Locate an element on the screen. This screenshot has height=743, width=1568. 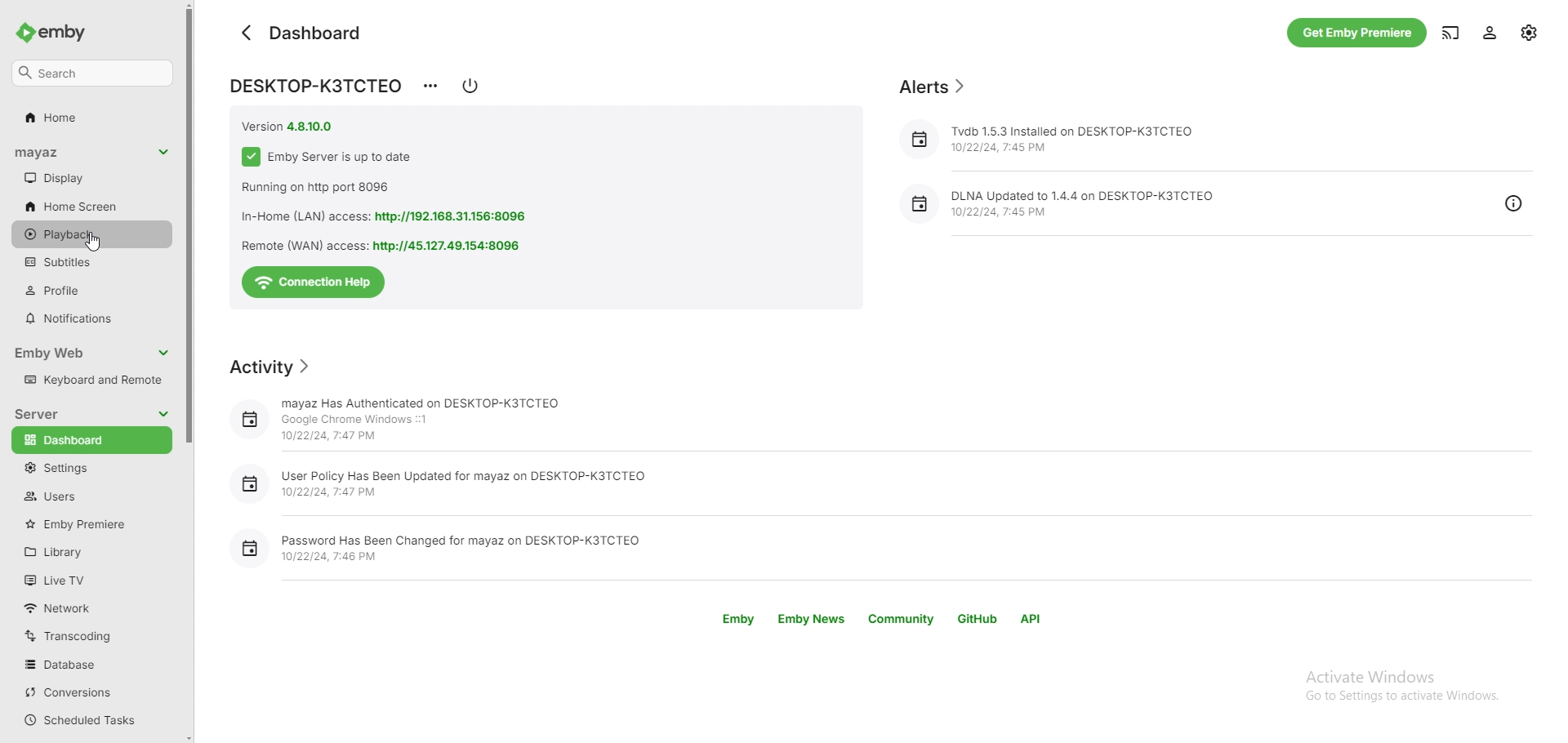
activity is located at coordinates (272, 367).